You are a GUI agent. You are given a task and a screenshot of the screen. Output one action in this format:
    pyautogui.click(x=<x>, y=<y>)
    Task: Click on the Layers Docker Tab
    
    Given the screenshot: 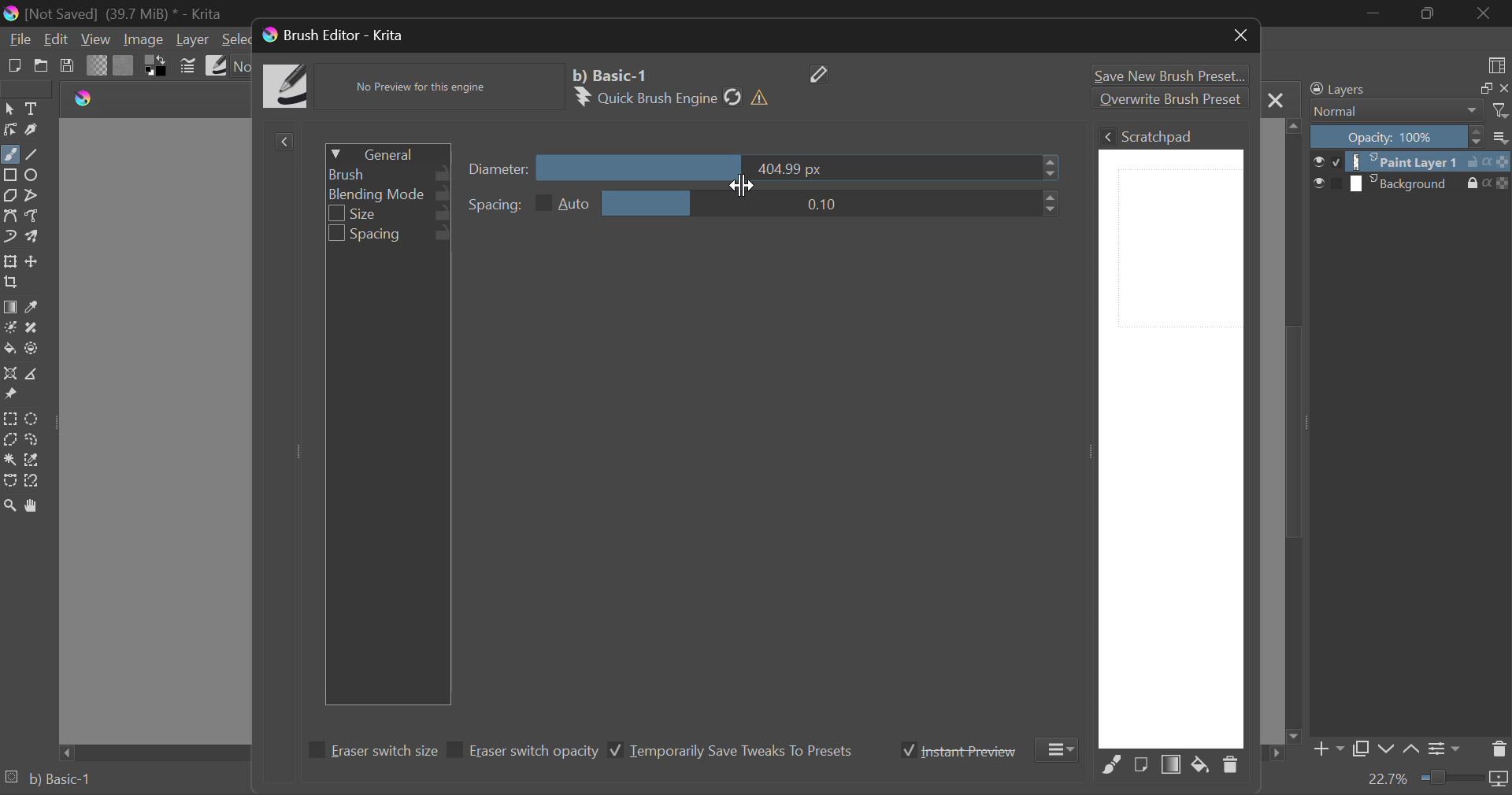 What is the action you would take?
    pyautogui.click(x=1408, y=89)
    